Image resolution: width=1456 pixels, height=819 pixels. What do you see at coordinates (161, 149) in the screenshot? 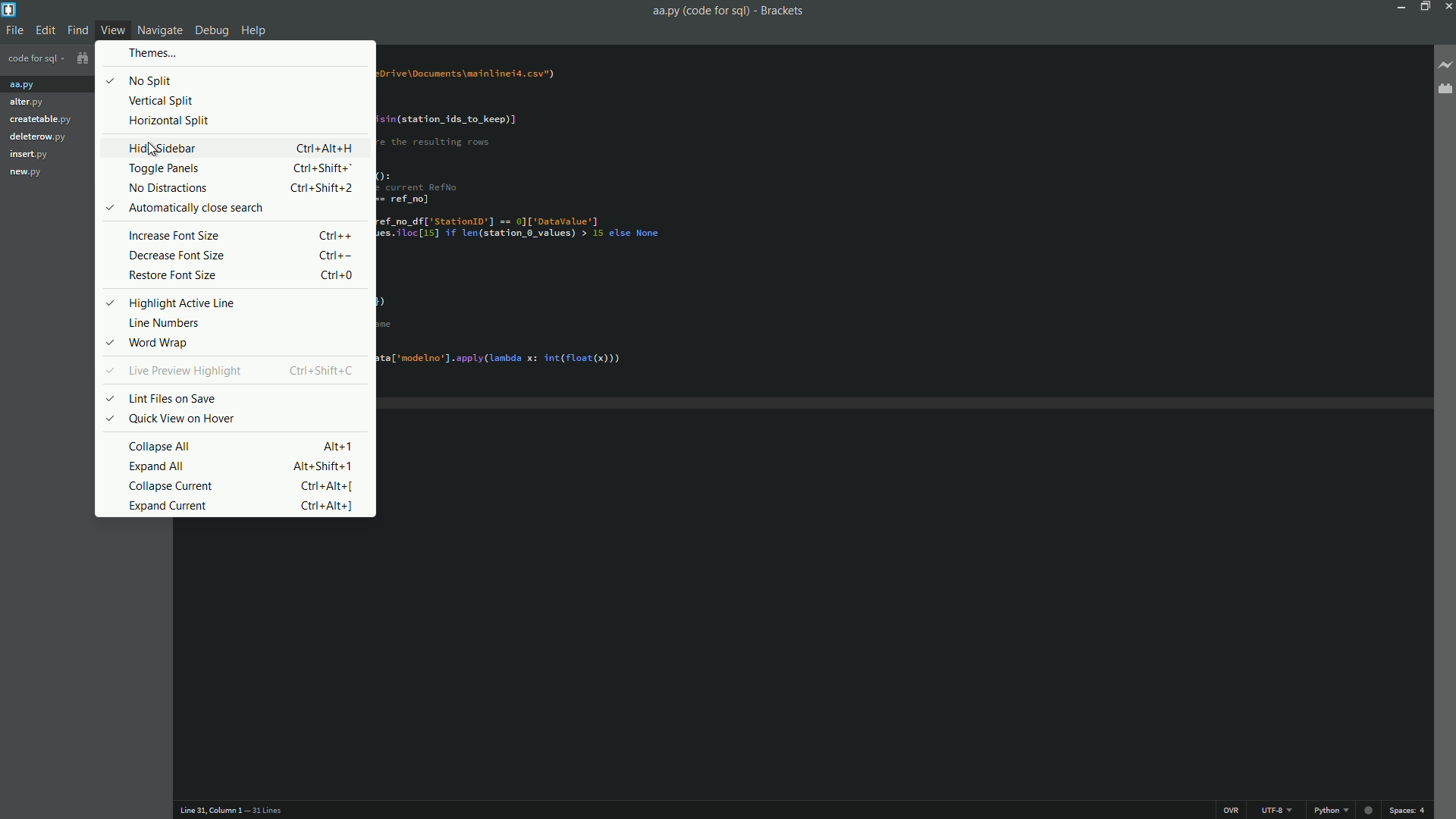
I see `hide sidebar button` at bounding box center [161, 149].